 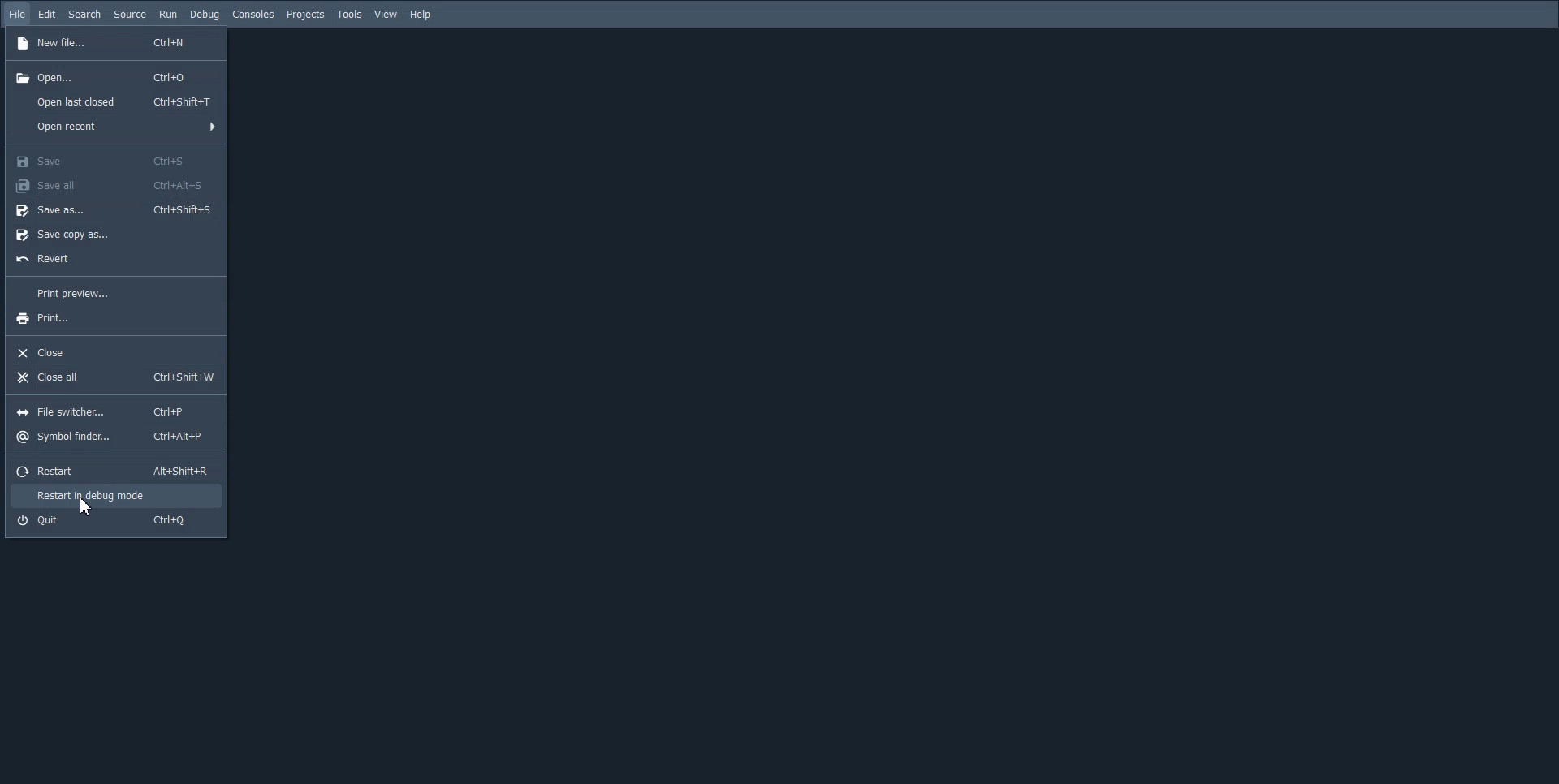 I want to click on Open recent, so click(x=114, y=126).